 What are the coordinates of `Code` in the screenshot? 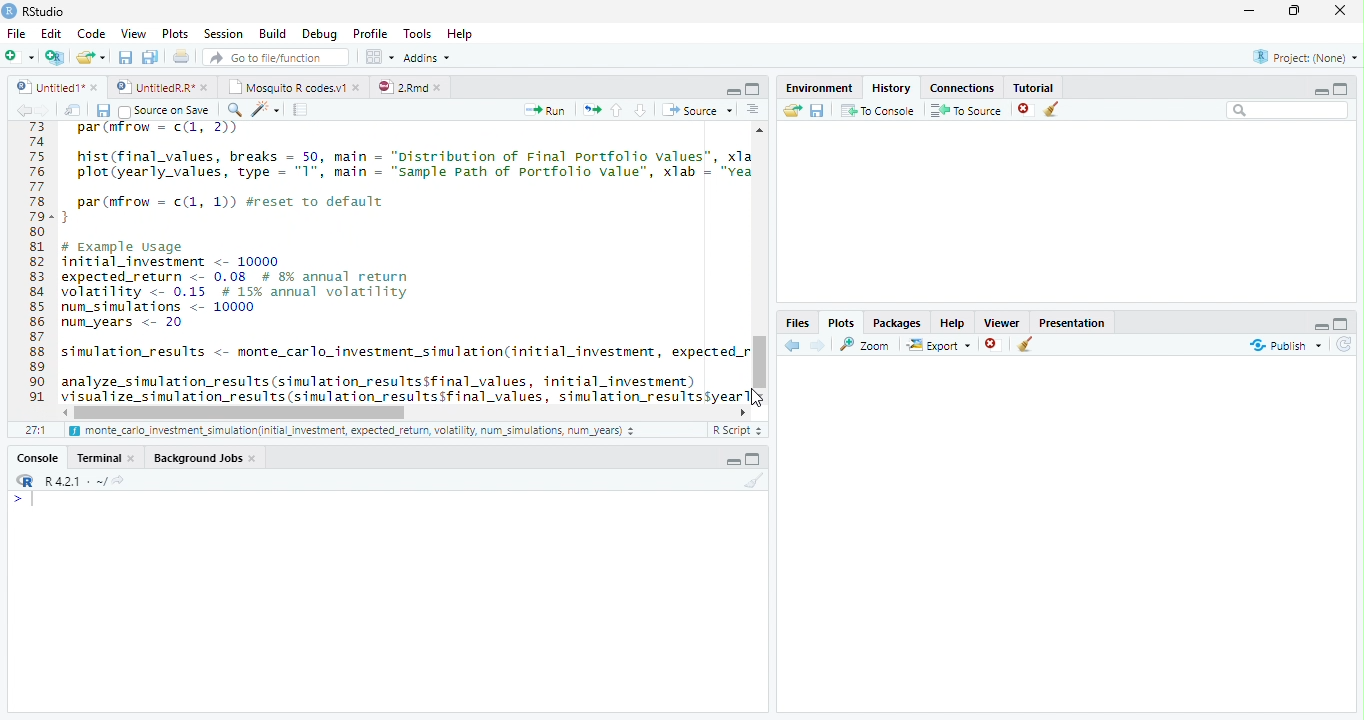 It's located at (402, 264).